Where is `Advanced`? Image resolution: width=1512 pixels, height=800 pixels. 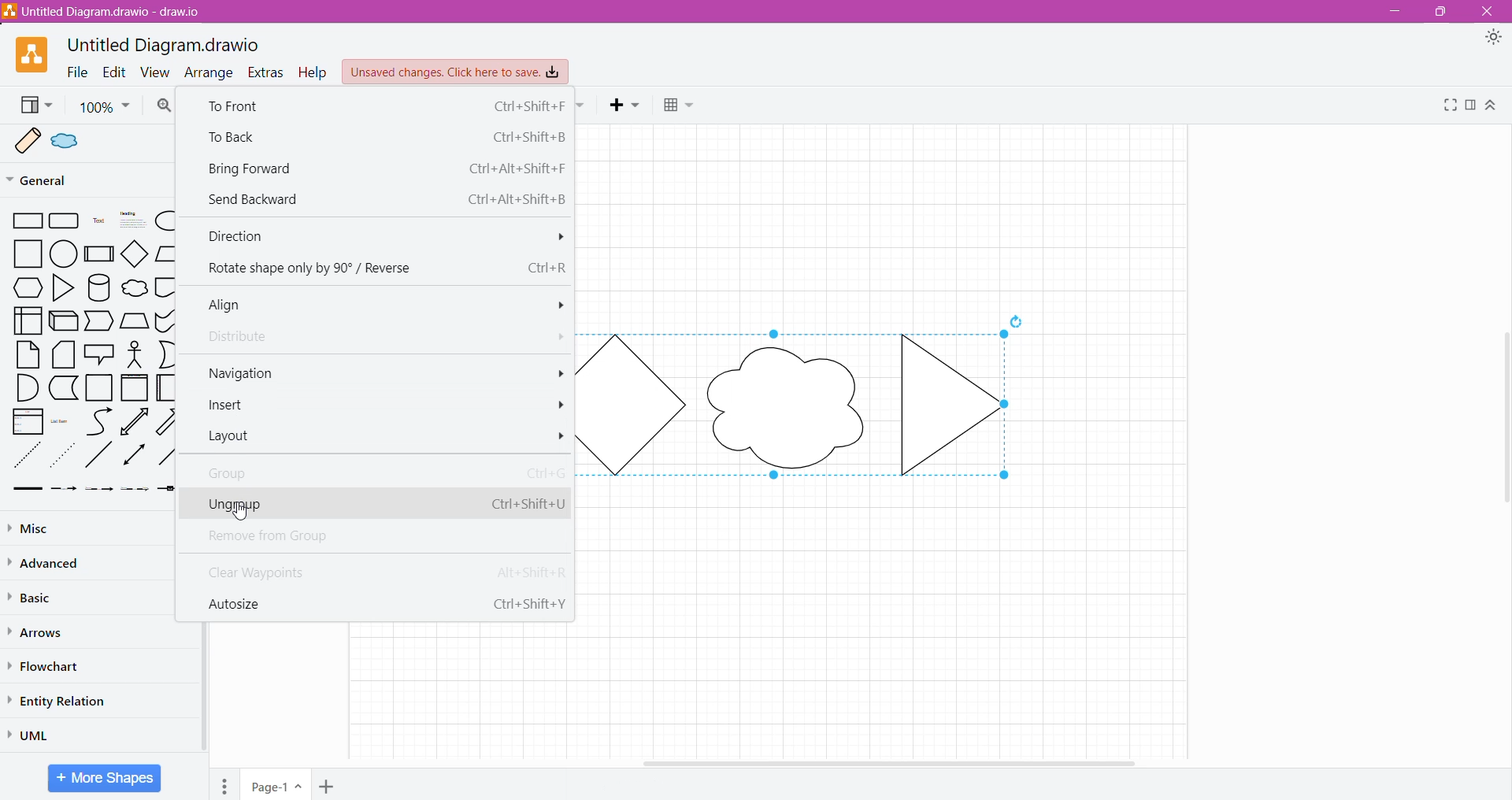
Advanced is located at coordinates (46, 563).